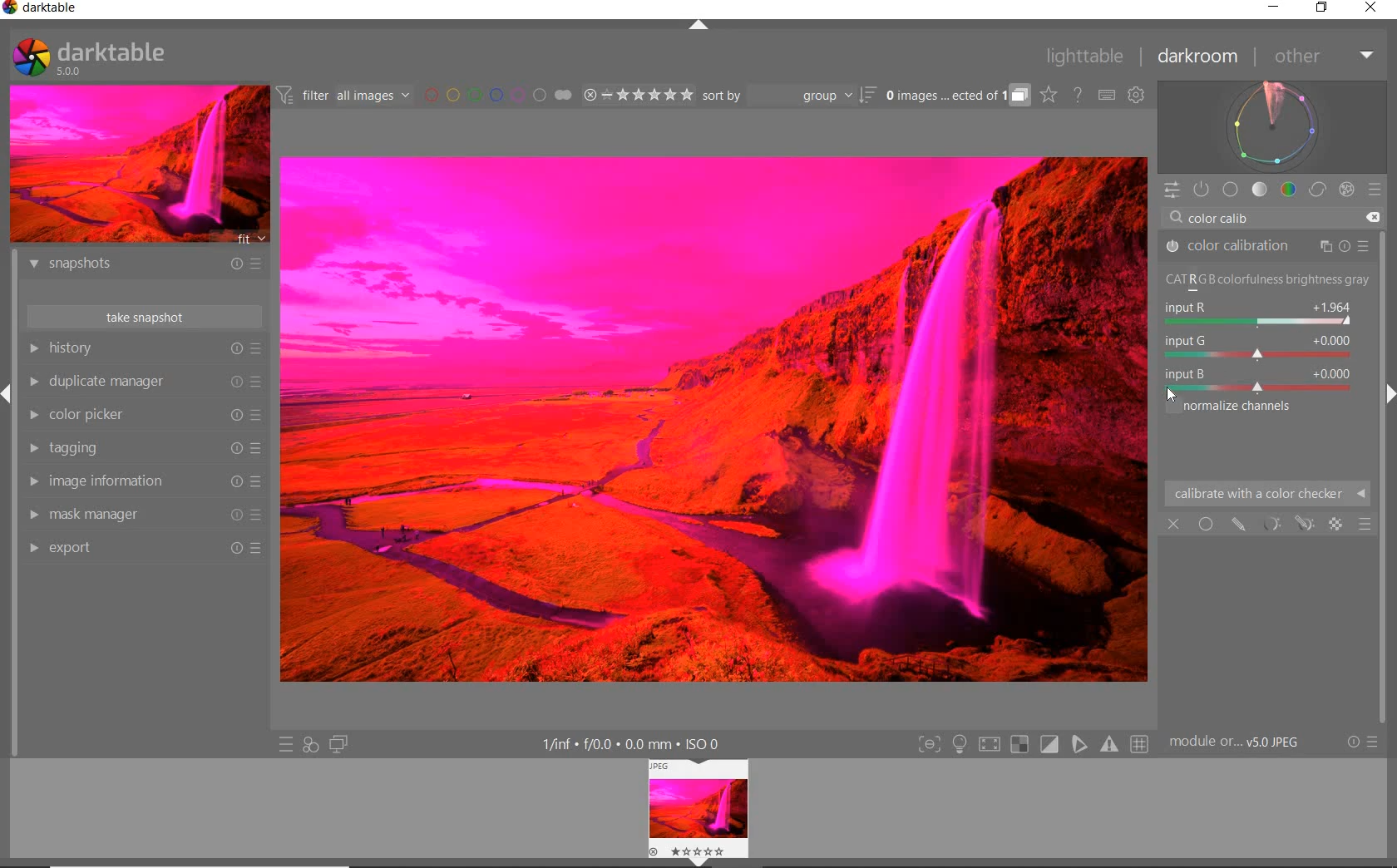 The image size is (1397, 868). What do you see at coordinates (1108, 96) in the screenshot?
I see `SET KEYBOARD SHORTCUTS` at bounding box center [1108, 96].